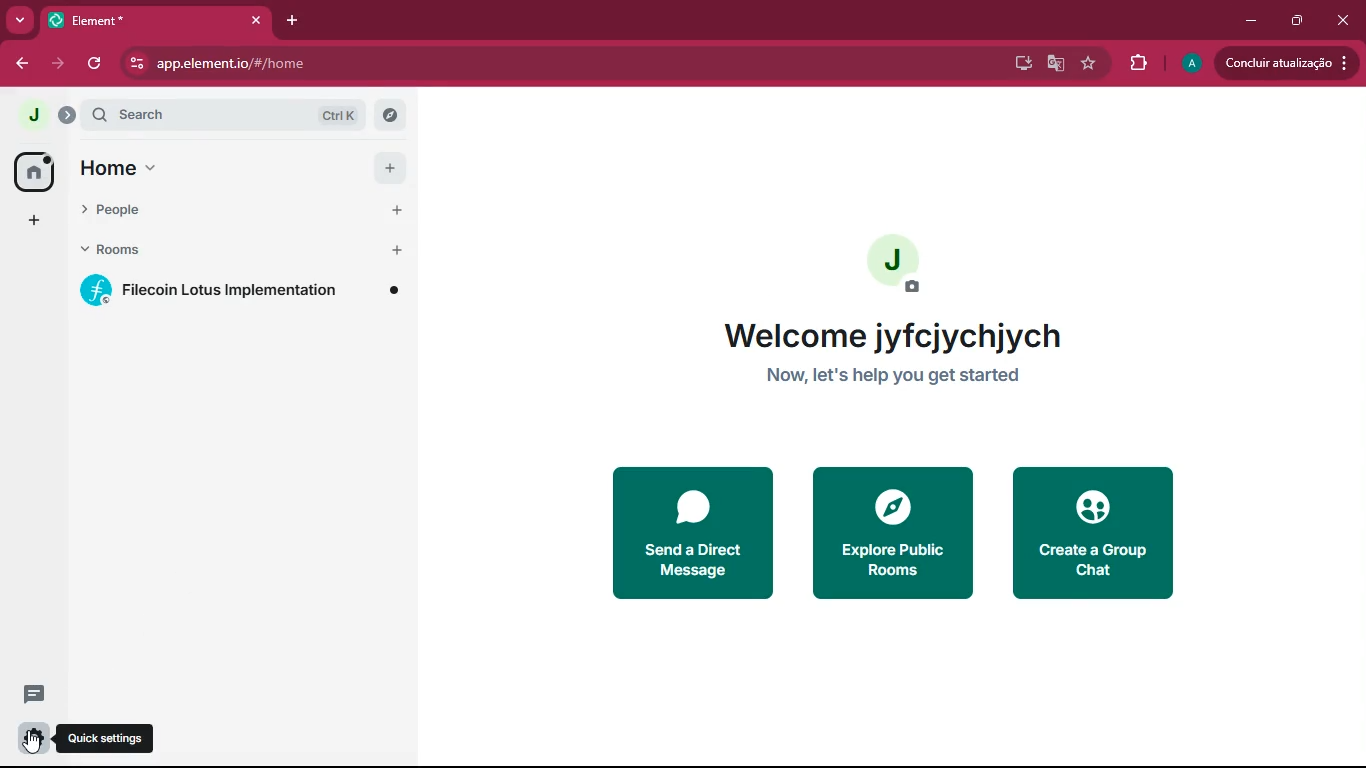  I want to click on google translate, so click(1053, 65).